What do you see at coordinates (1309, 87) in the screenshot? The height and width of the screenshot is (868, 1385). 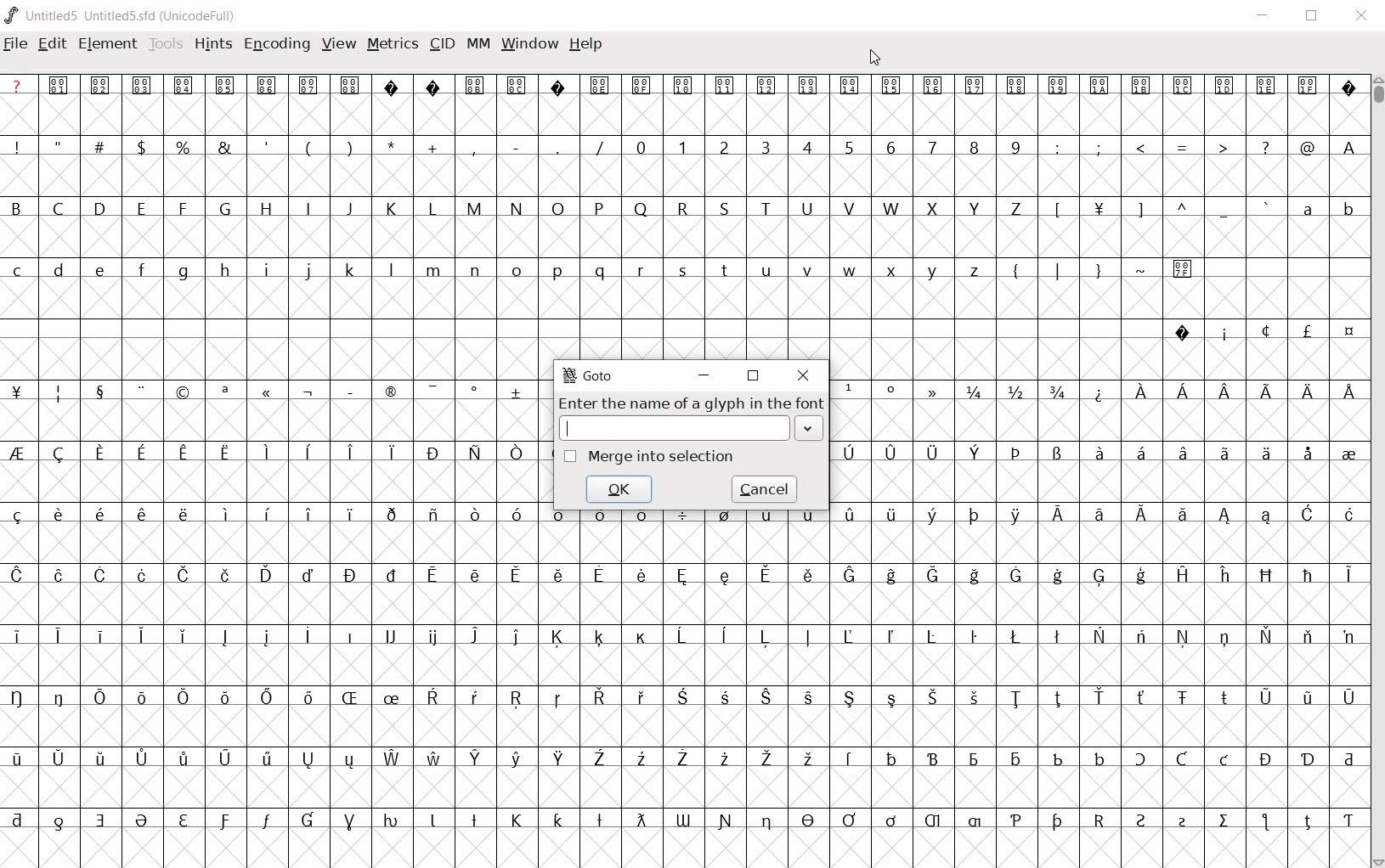 I see `Symbol` at bounding box center [1309, 87].